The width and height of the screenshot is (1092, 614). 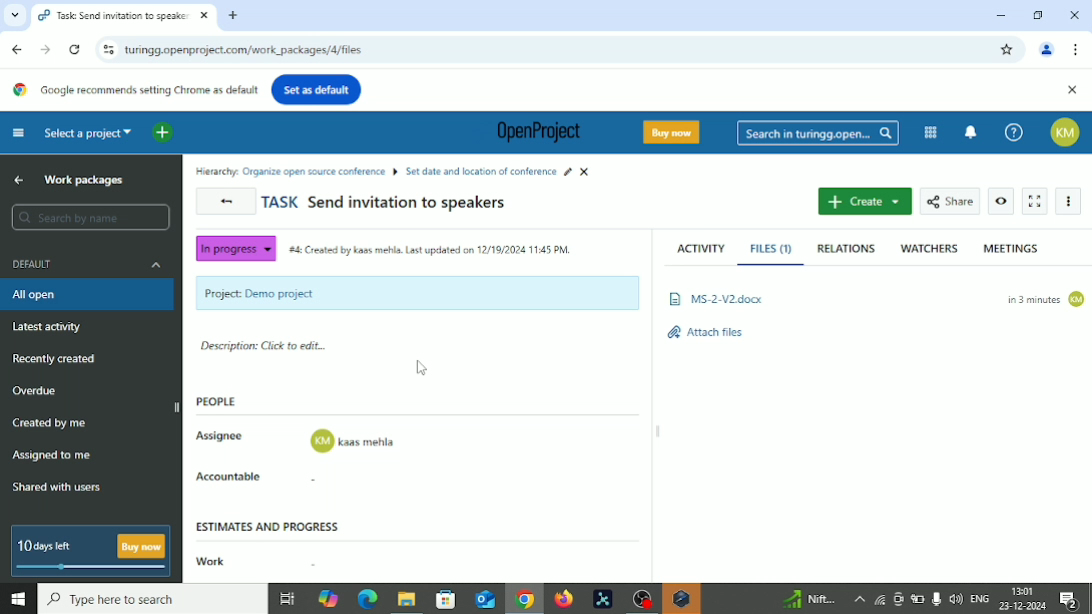 What do you see at coordinates (417, 293) in the screenshot?
I see `Project` at bounding box center [417, 293].